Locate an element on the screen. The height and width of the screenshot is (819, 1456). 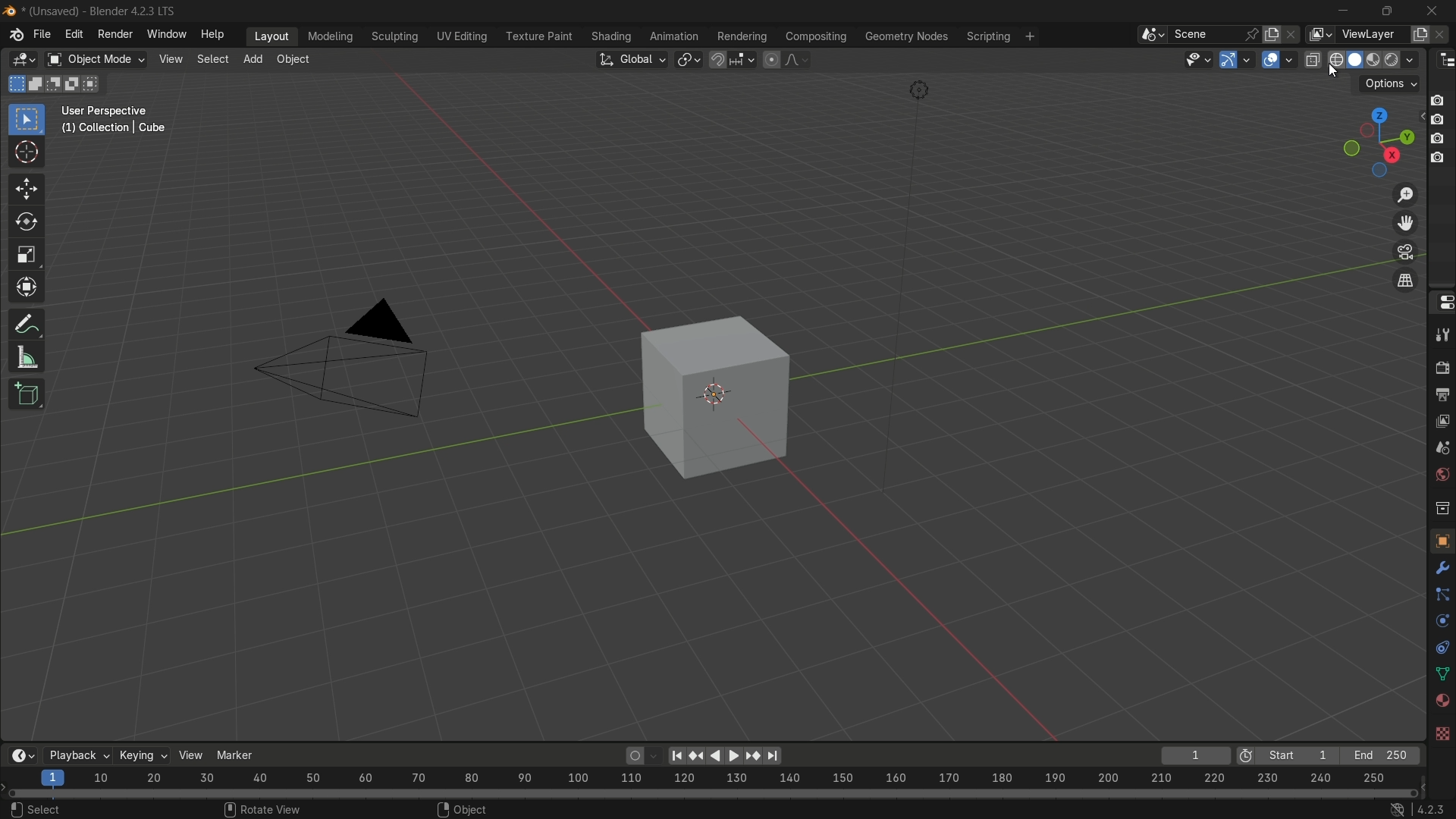
propotional editing is located at coordinates (785, 61).